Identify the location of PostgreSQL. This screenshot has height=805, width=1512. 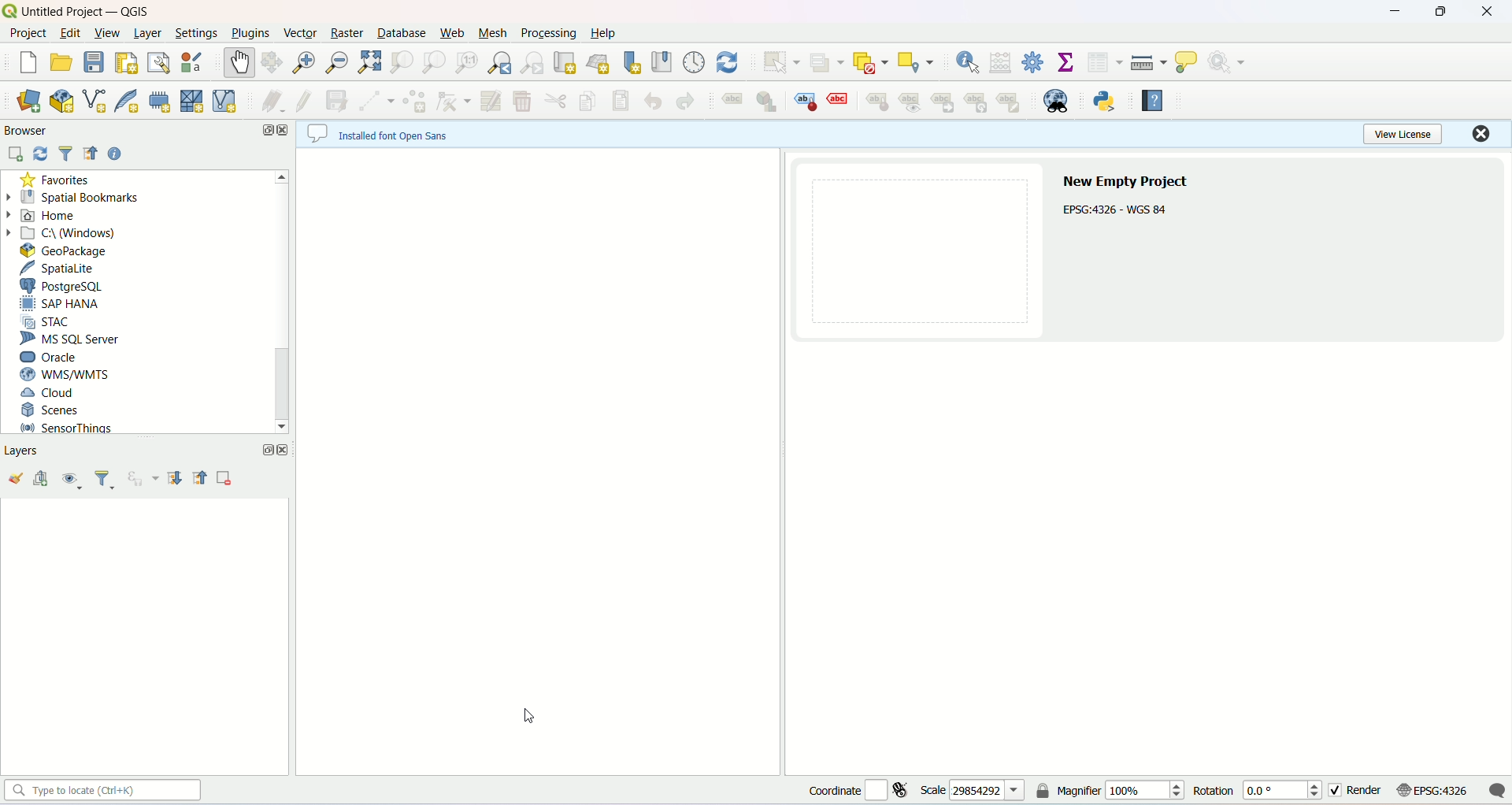
(65, 285).